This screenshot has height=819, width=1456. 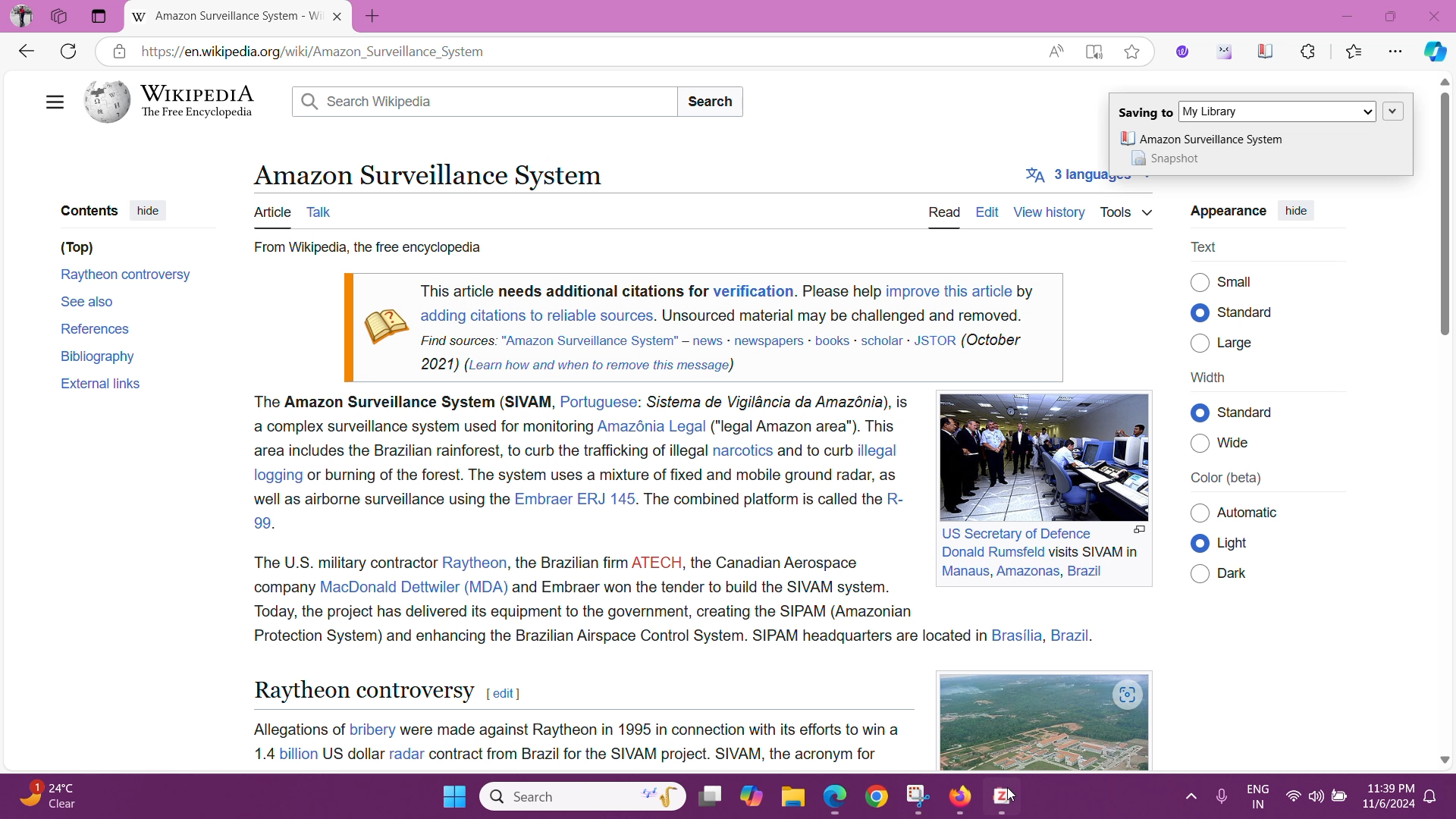 I want to click on by, so click(x=1026, y=289).